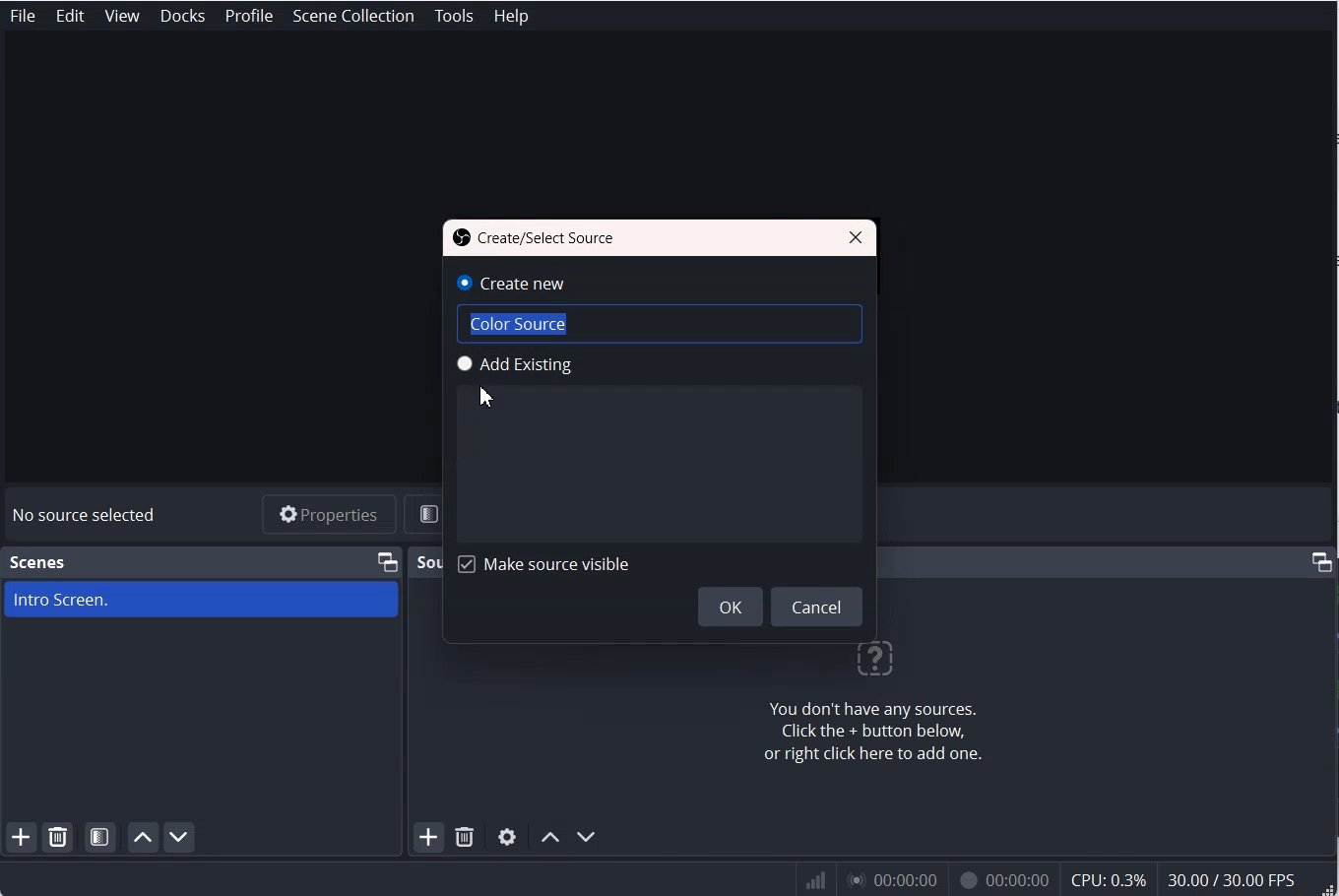  I want to click on You don't have any sources. Click the button below. or right dick here to add one, so click(875, 707).